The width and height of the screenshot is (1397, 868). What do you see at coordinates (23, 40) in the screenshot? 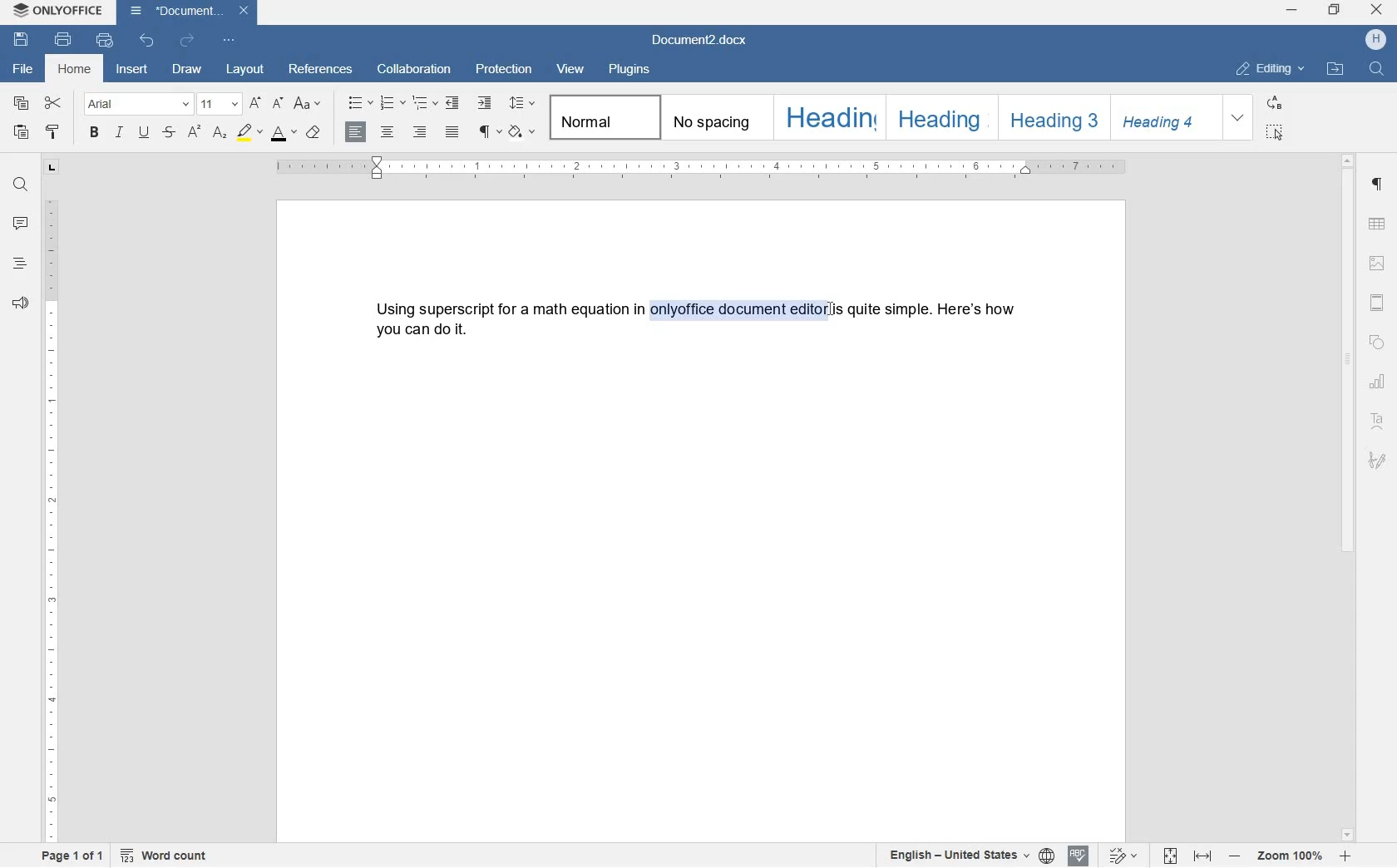
I see `save` at bounding box center [23, 40].